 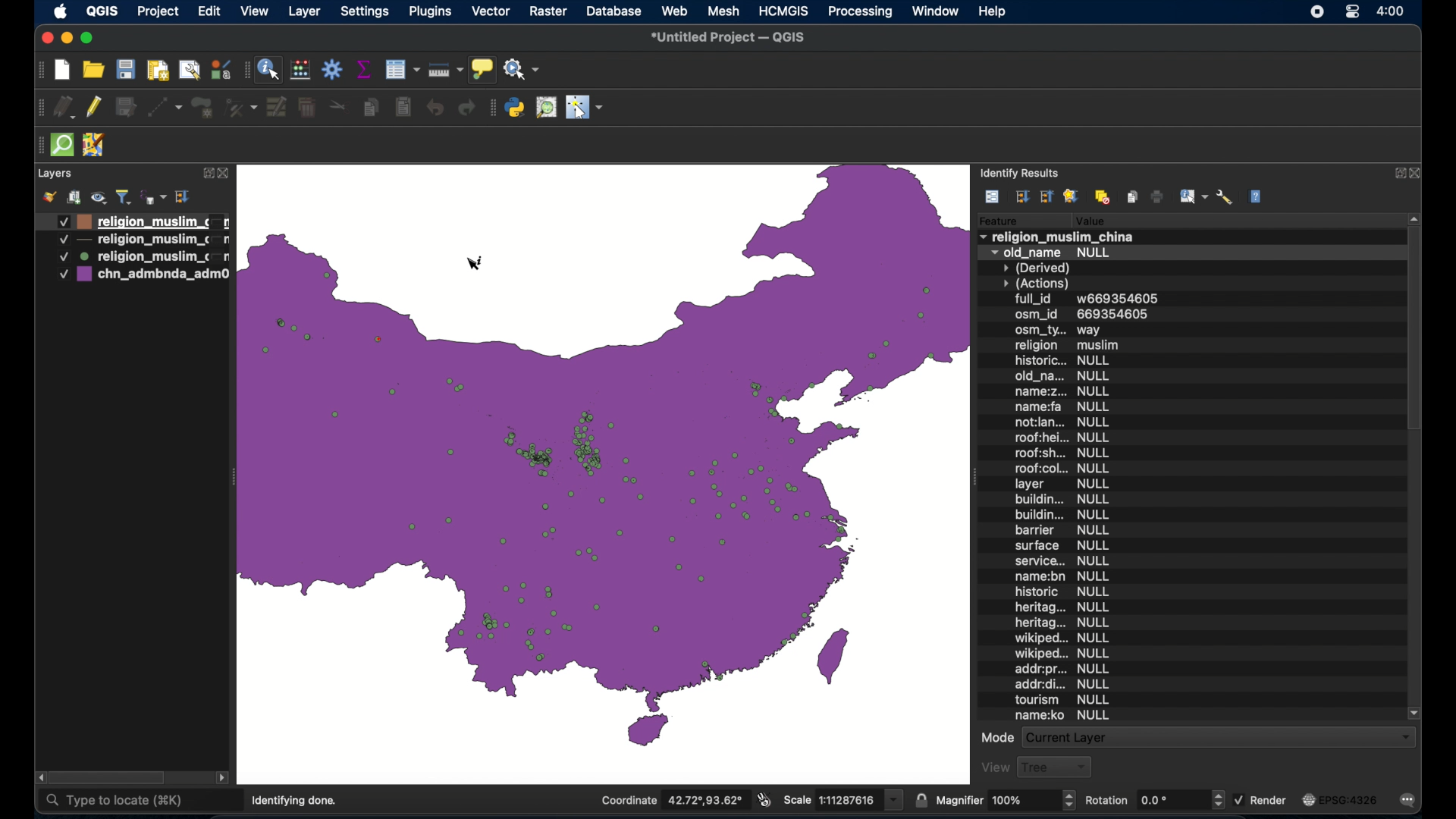 What do you see at coordinates (1021, 172) in the screenshot?
I see `identify results` at bounding box center [1021, 172].